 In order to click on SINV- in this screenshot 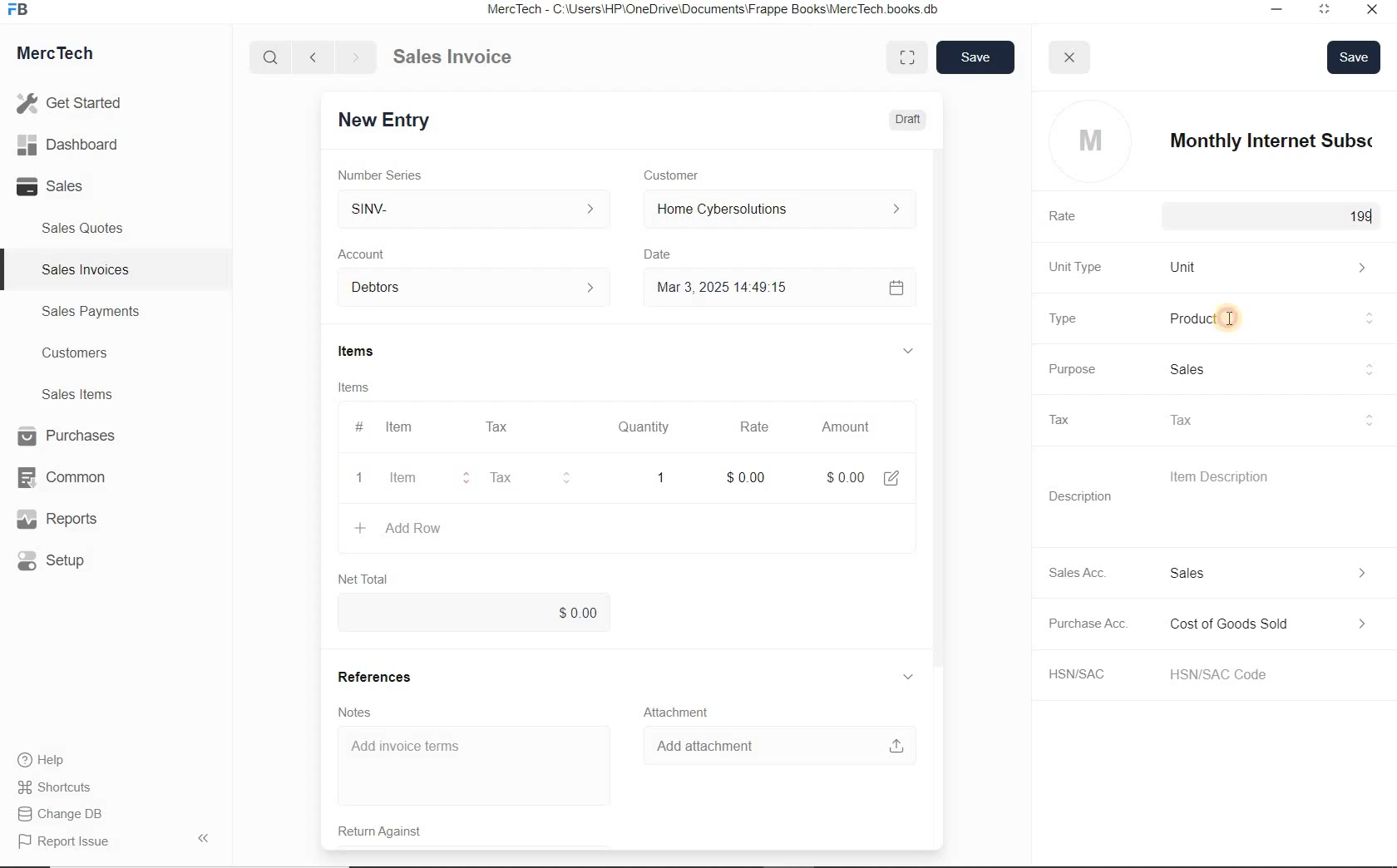, I will do `click(474, 209)`.